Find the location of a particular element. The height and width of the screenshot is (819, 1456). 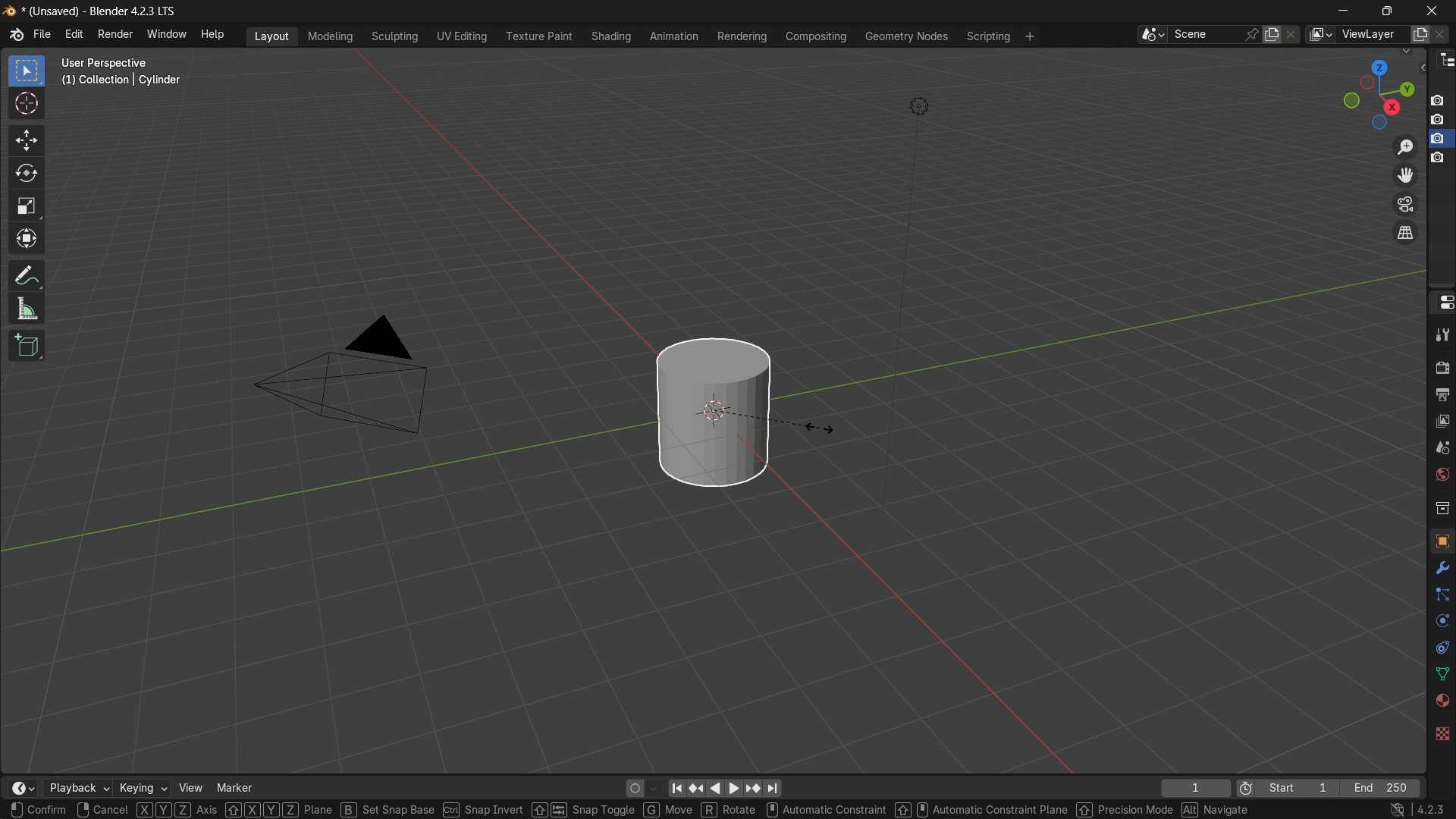

rotate or preset viewpoint is located at coordinates (1377, 92).